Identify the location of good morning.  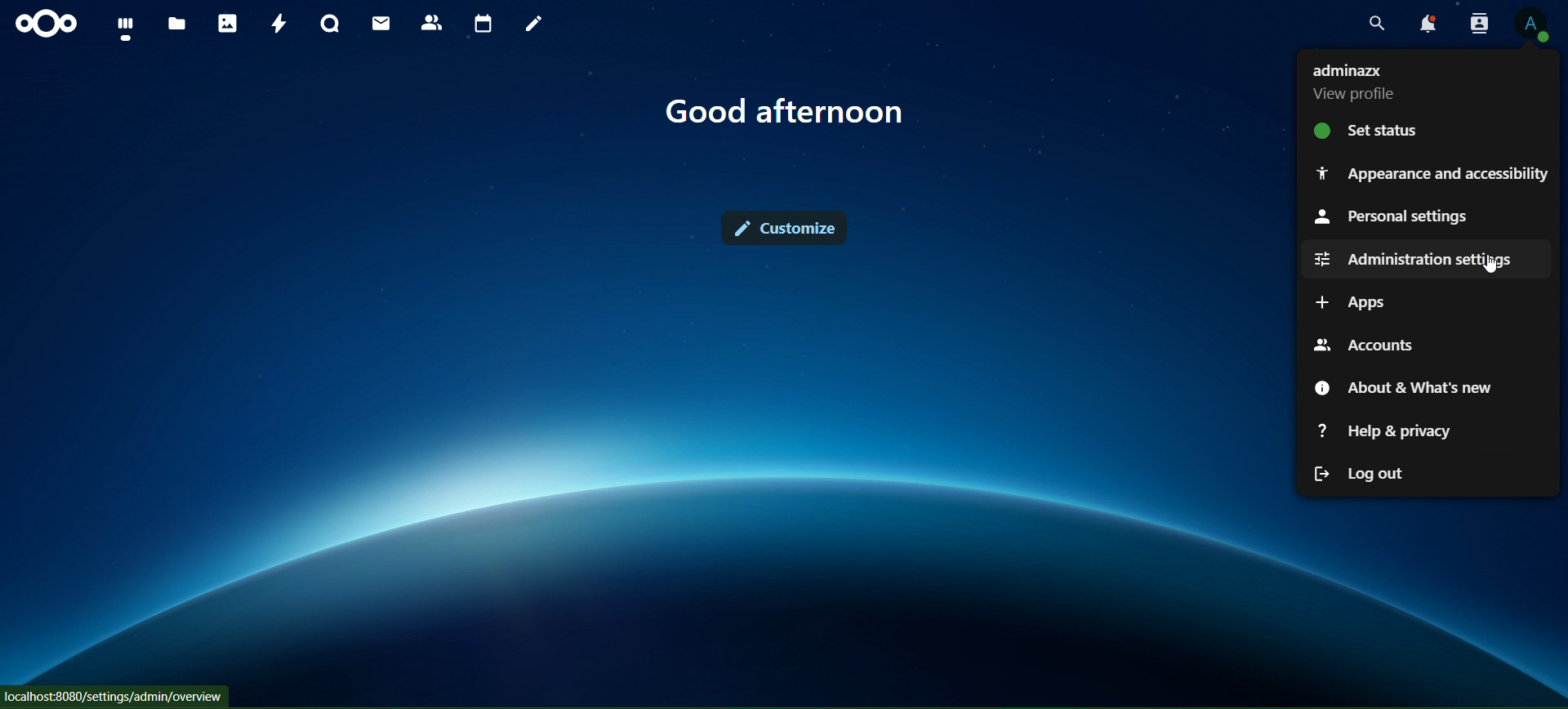
(788, 111).